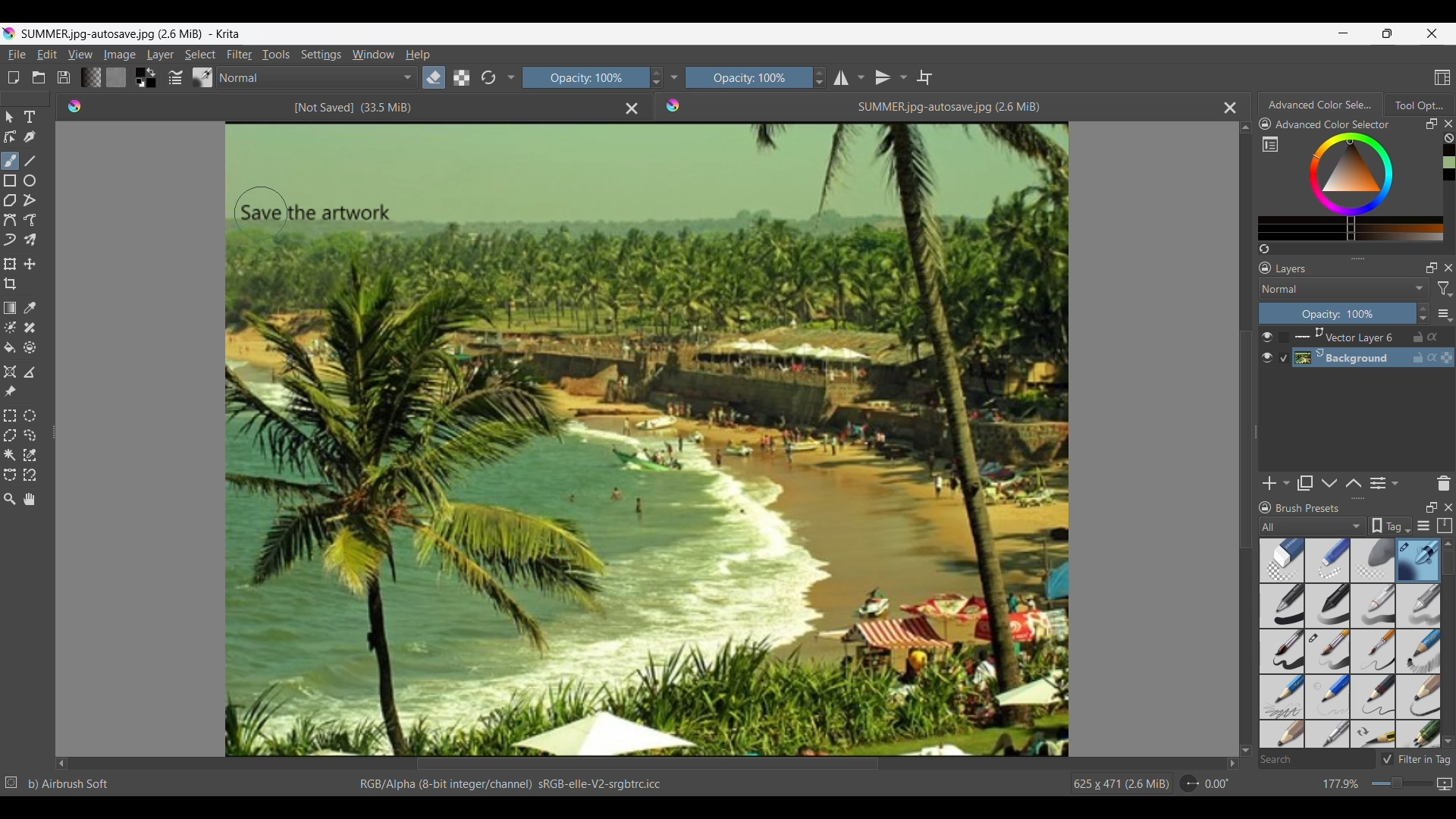  I want to click on Line tool, so click(30, 162).